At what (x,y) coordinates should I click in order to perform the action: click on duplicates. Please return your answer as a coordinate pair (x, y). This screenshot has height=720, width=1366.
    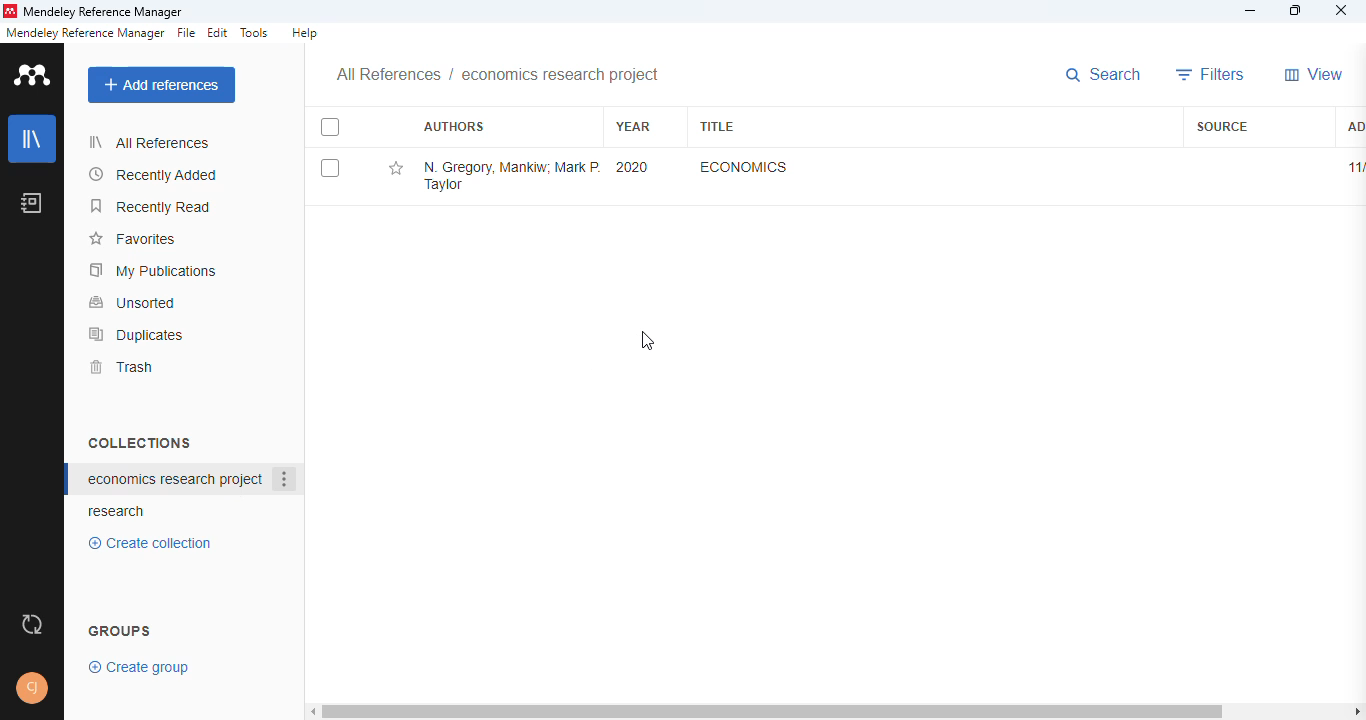
    Looking at the image, I should click on (137, 334).